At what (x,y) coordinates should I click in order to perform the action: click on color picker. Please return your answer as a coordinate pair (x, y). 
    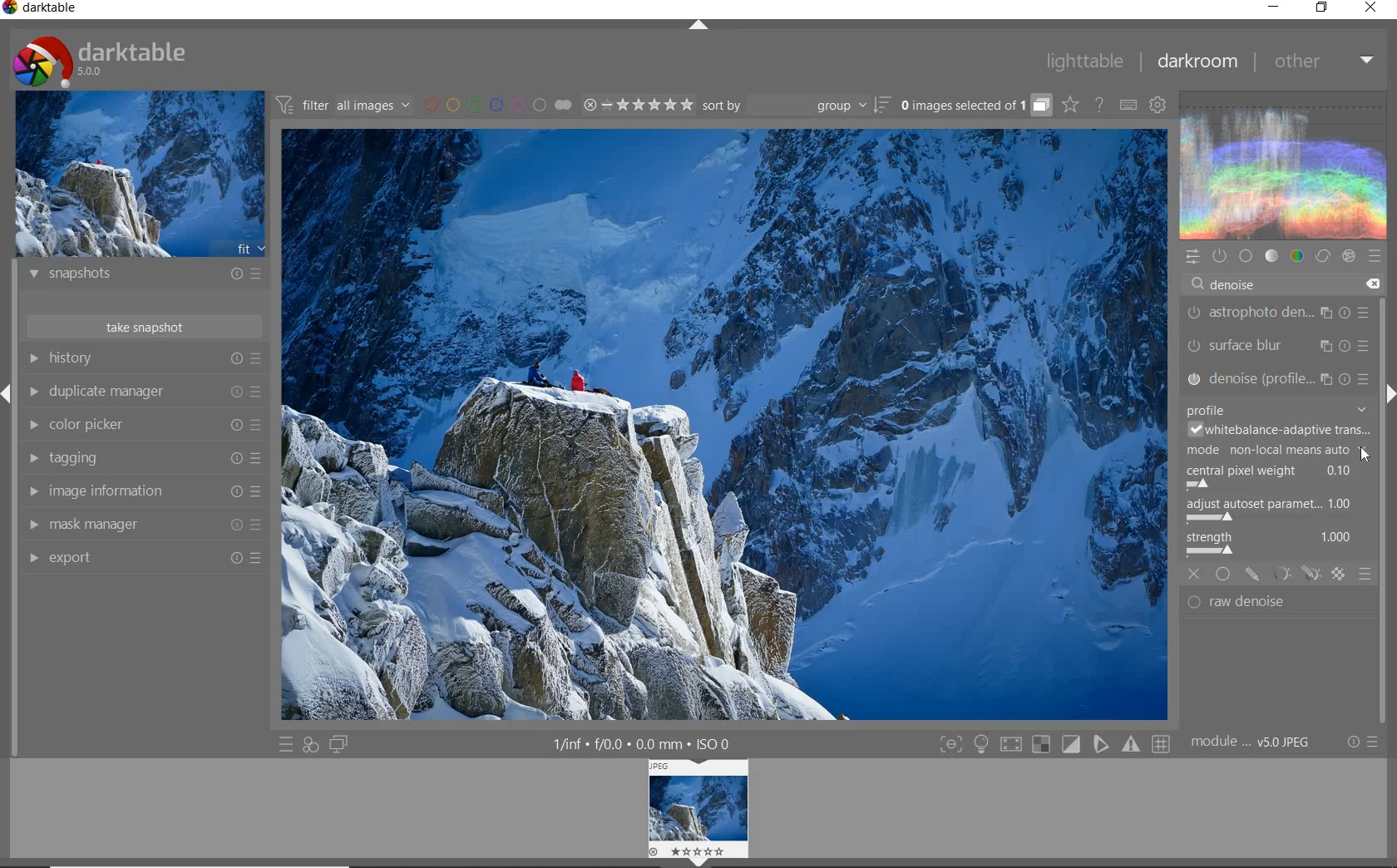
    Looking at the image, I should click on (141, 425).